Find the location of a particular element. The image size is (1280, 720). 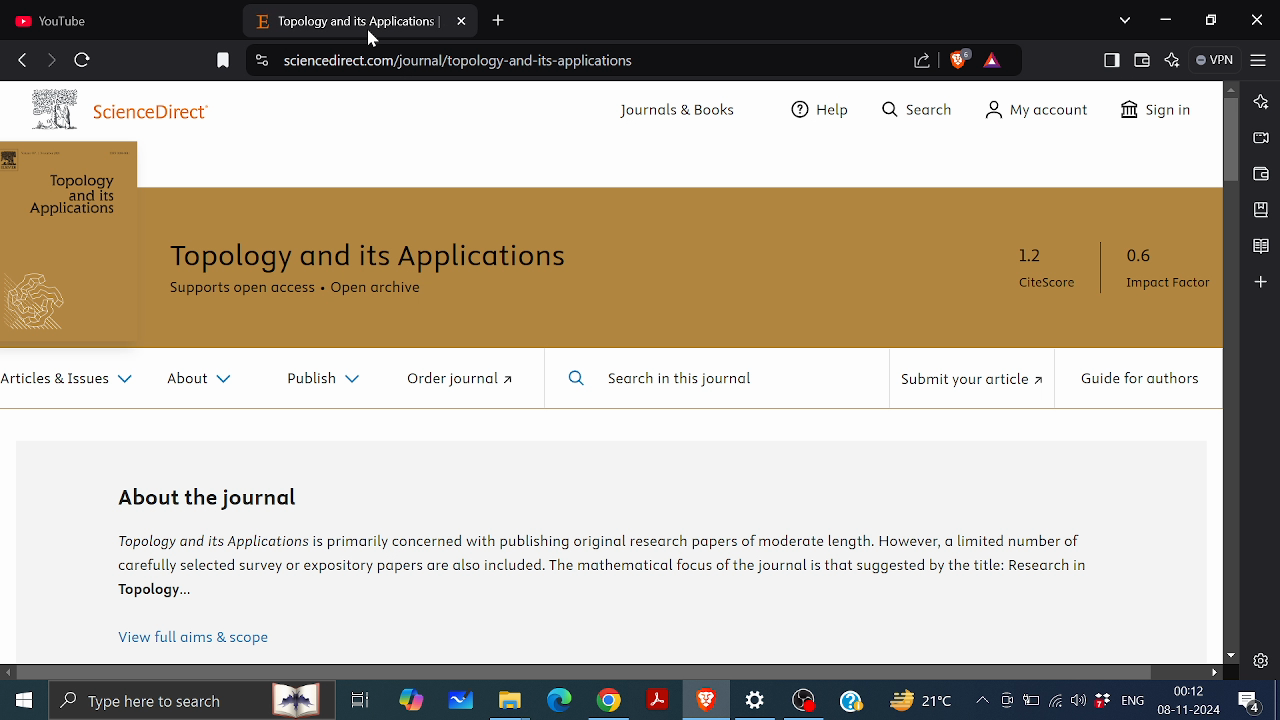

Task view is located at coordinates (360, 700).